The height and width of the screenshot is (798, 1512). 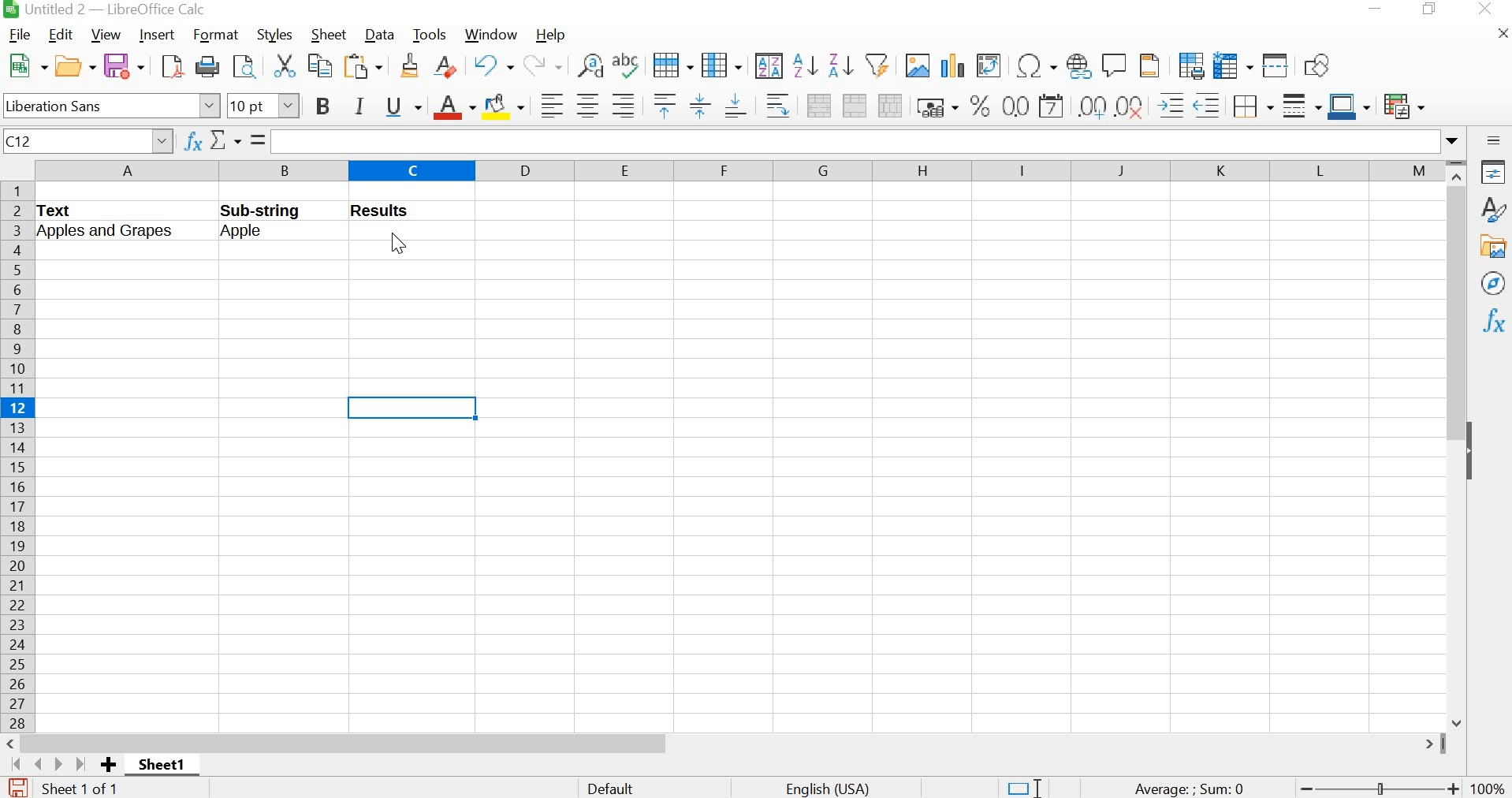 What do you see at coordinates (721, 65) in the screenshot?
I see `column` at bounding box center [721, 65].